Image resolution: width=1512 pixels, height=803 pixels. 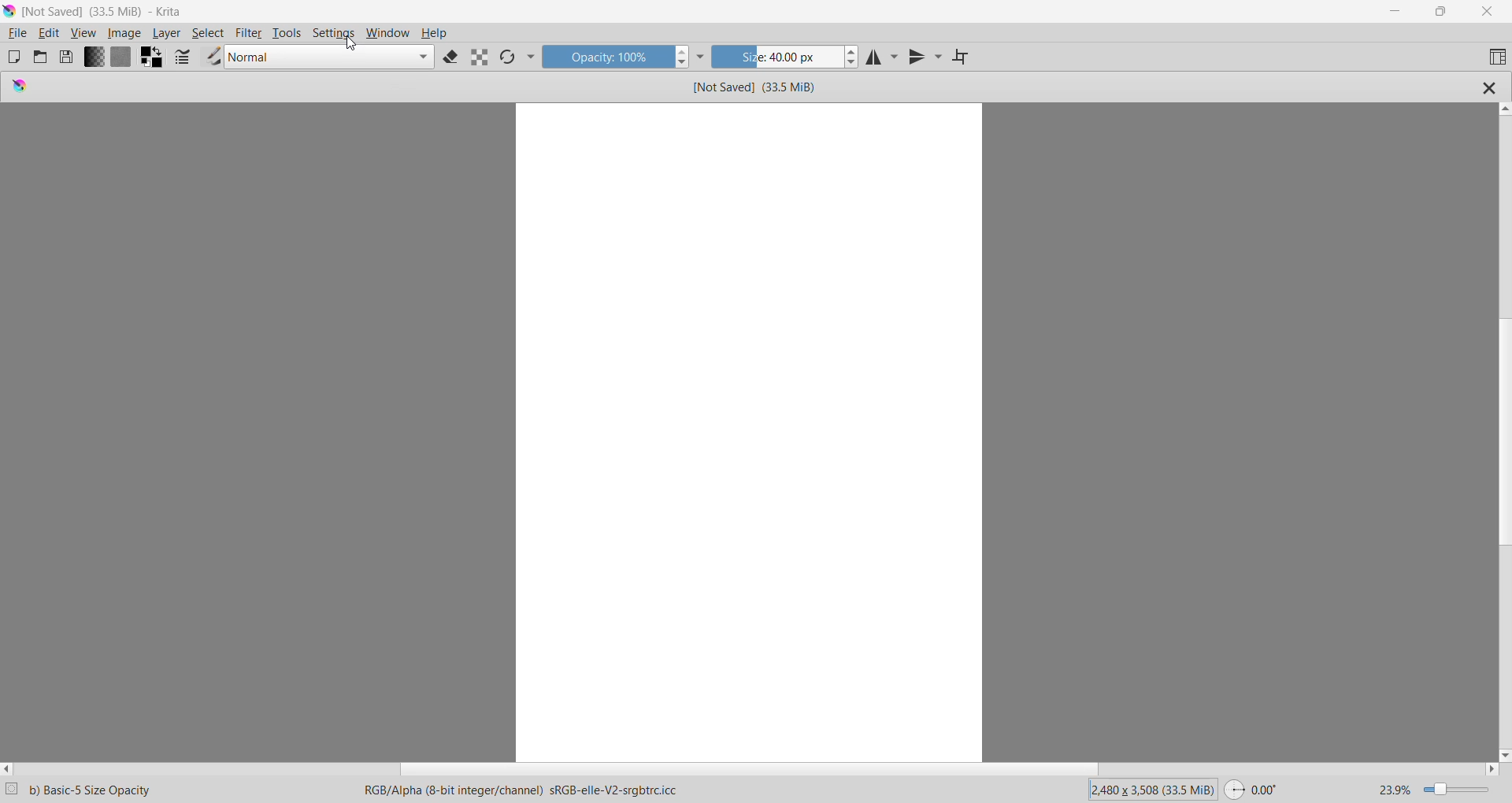 I want to click on Save, so click(x=68, y=58).